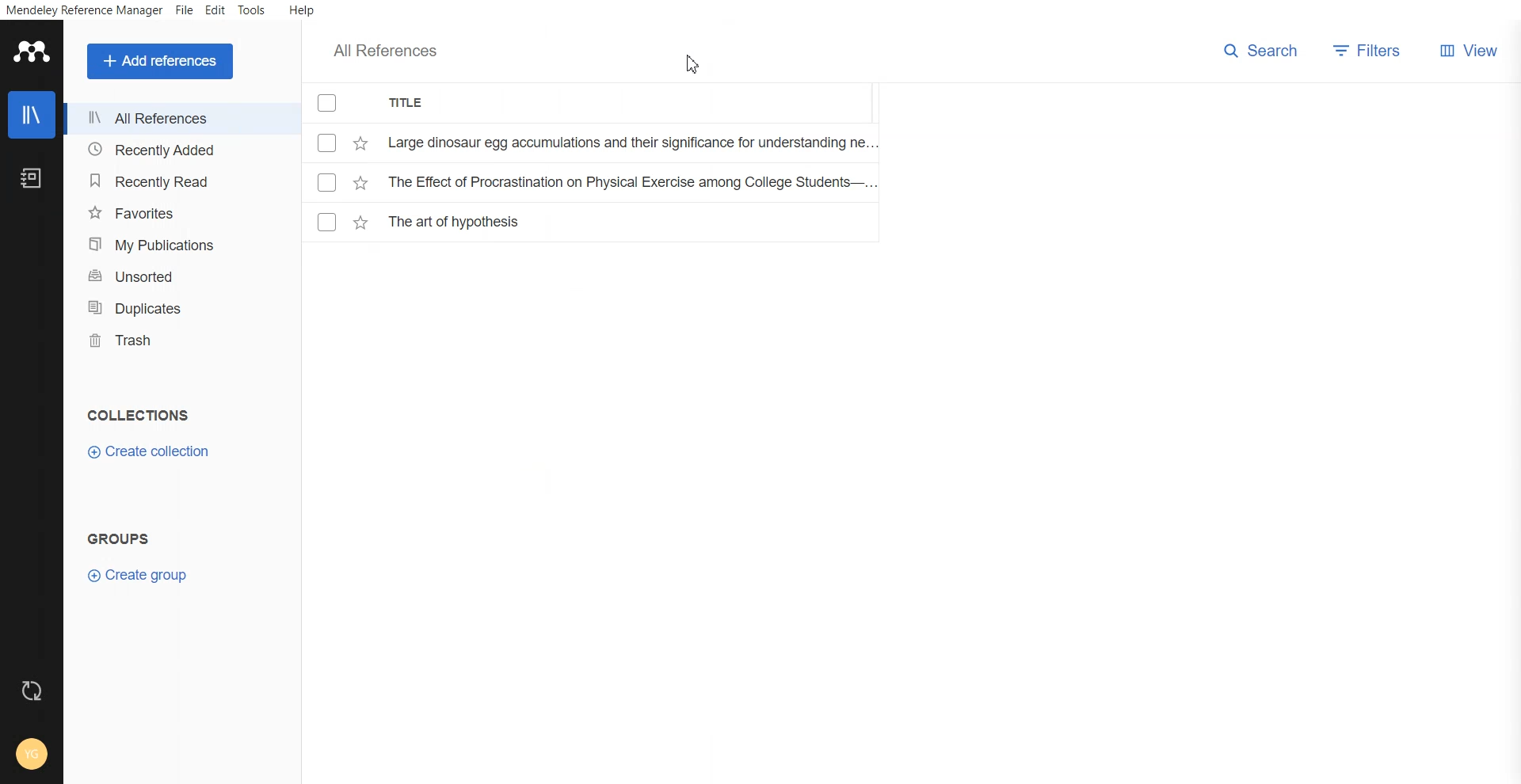 The width and height of the screenshot is (1521, 784). I want to click on Edit, so click(215, 11).